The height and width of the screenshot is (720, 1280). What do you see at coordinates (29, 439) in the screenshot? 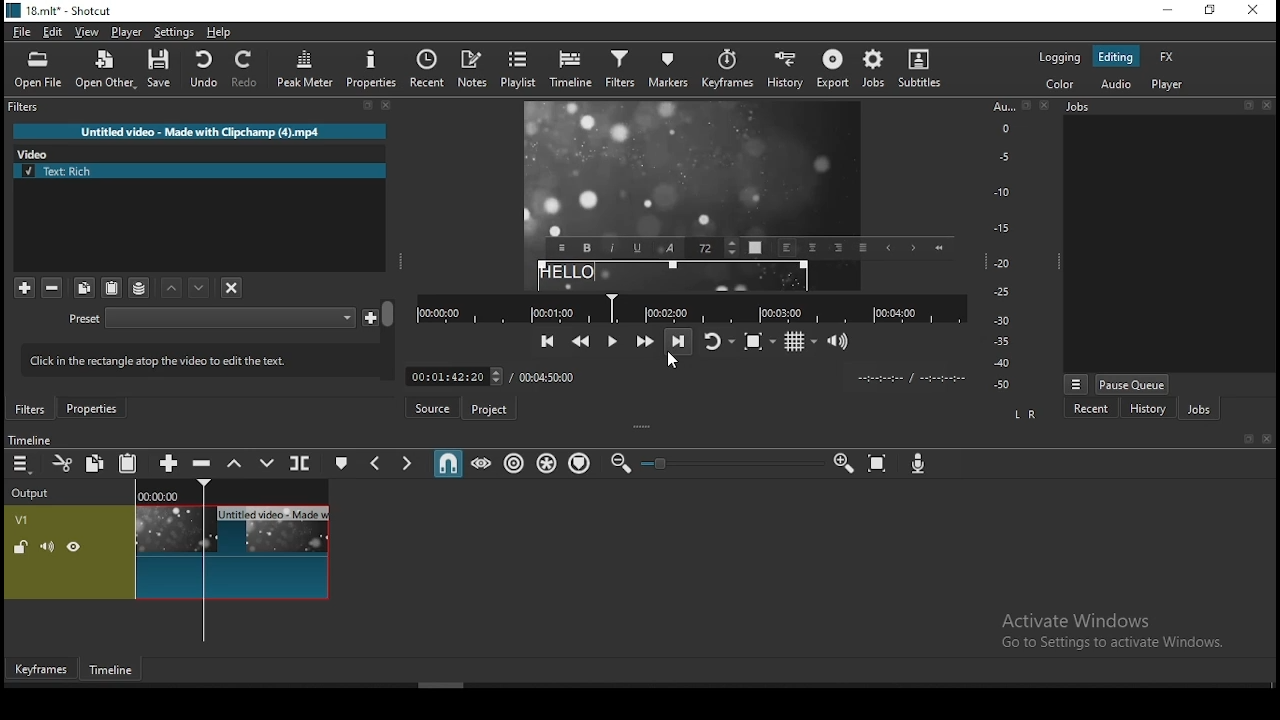
I see `Timeline` at bounding box center [29, 439].